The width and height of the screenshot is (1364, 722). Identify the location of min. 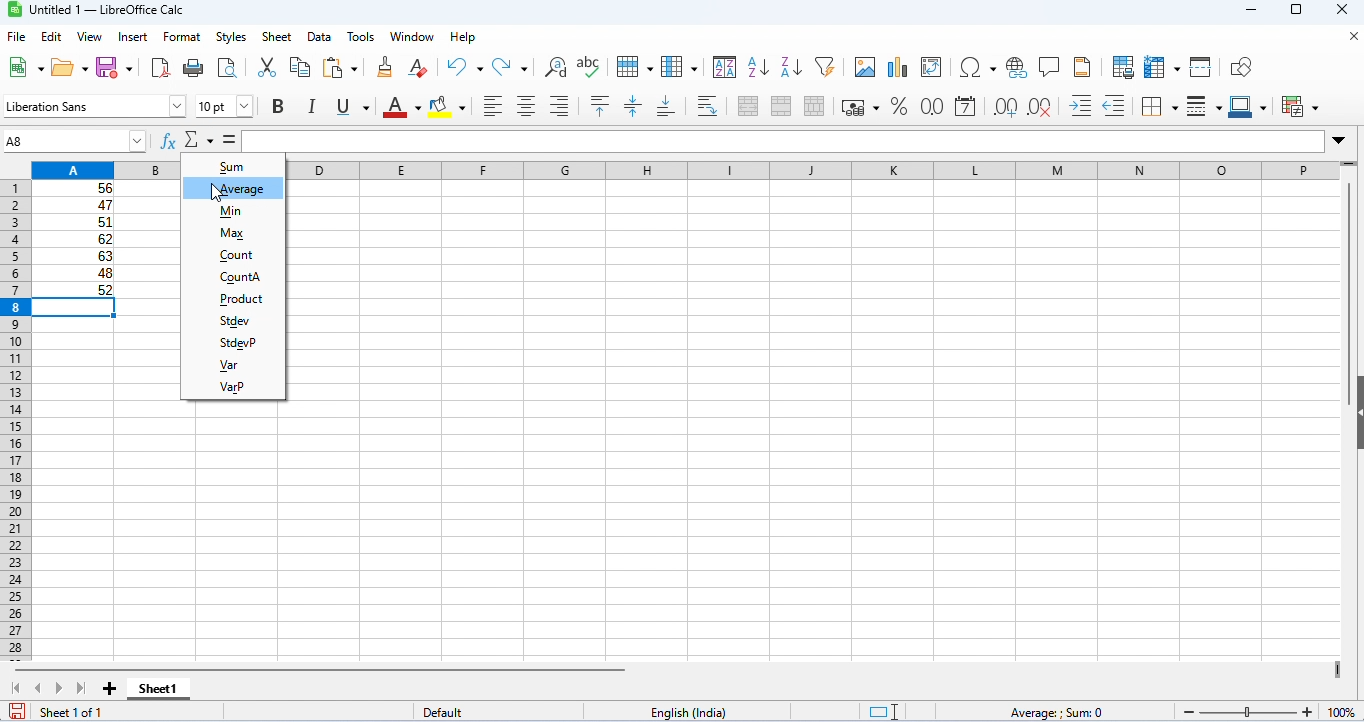
(235, 212).